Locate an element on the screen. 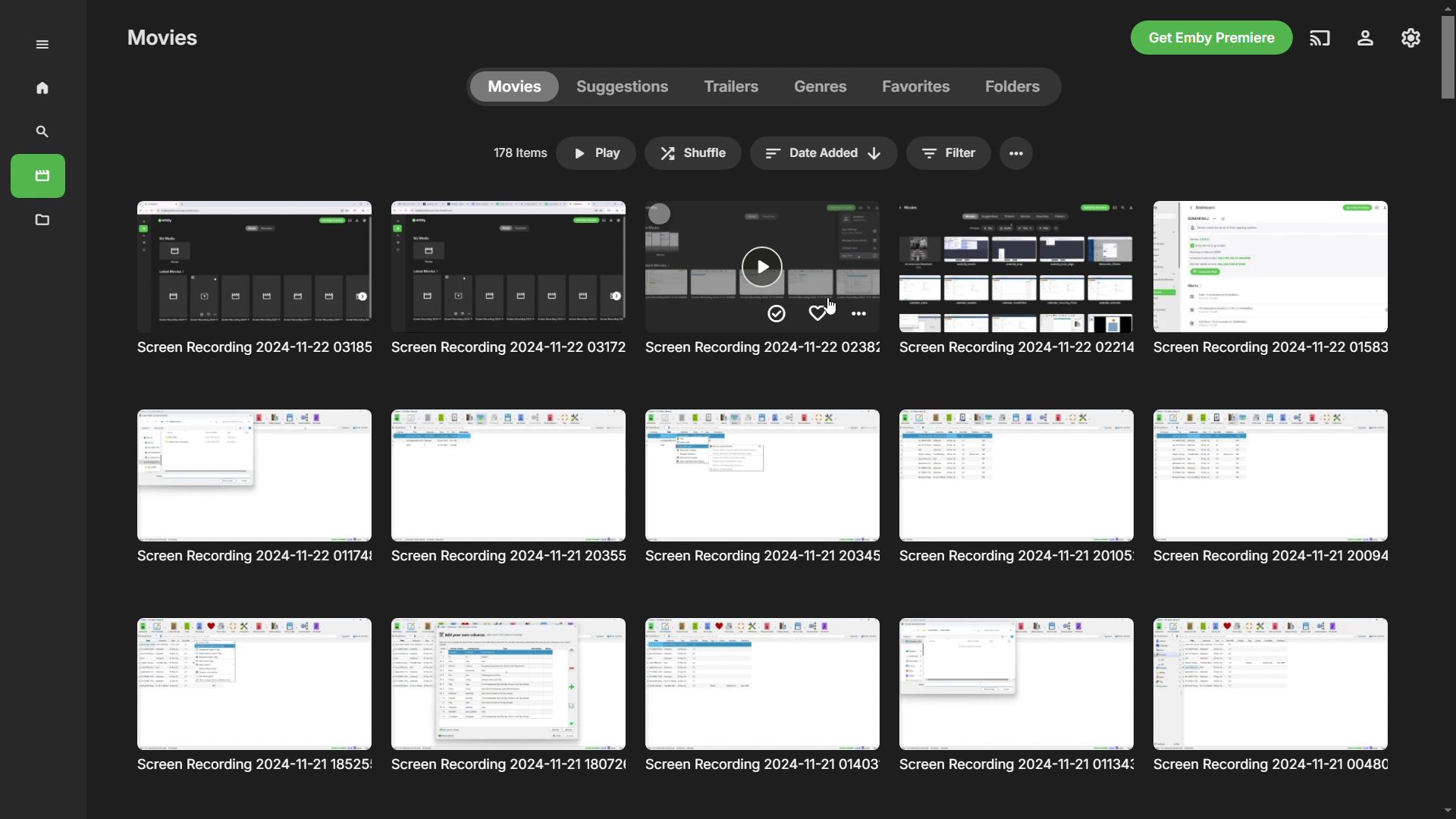 This screenshot has height=819, width=1456. account is located at coordinates (1363, 39).